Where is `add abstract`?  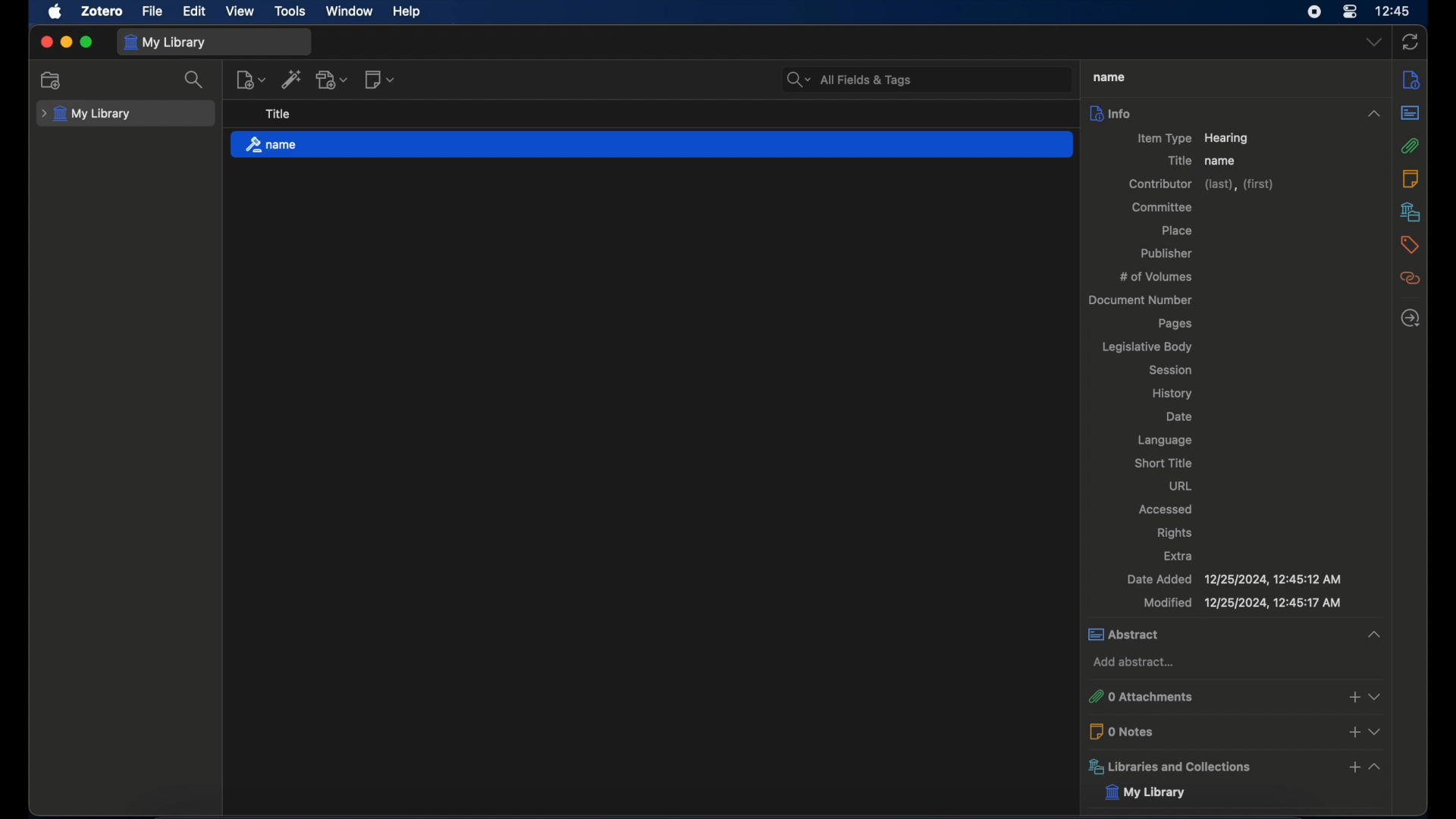 add abstract is located at coordinates (1134, 663).